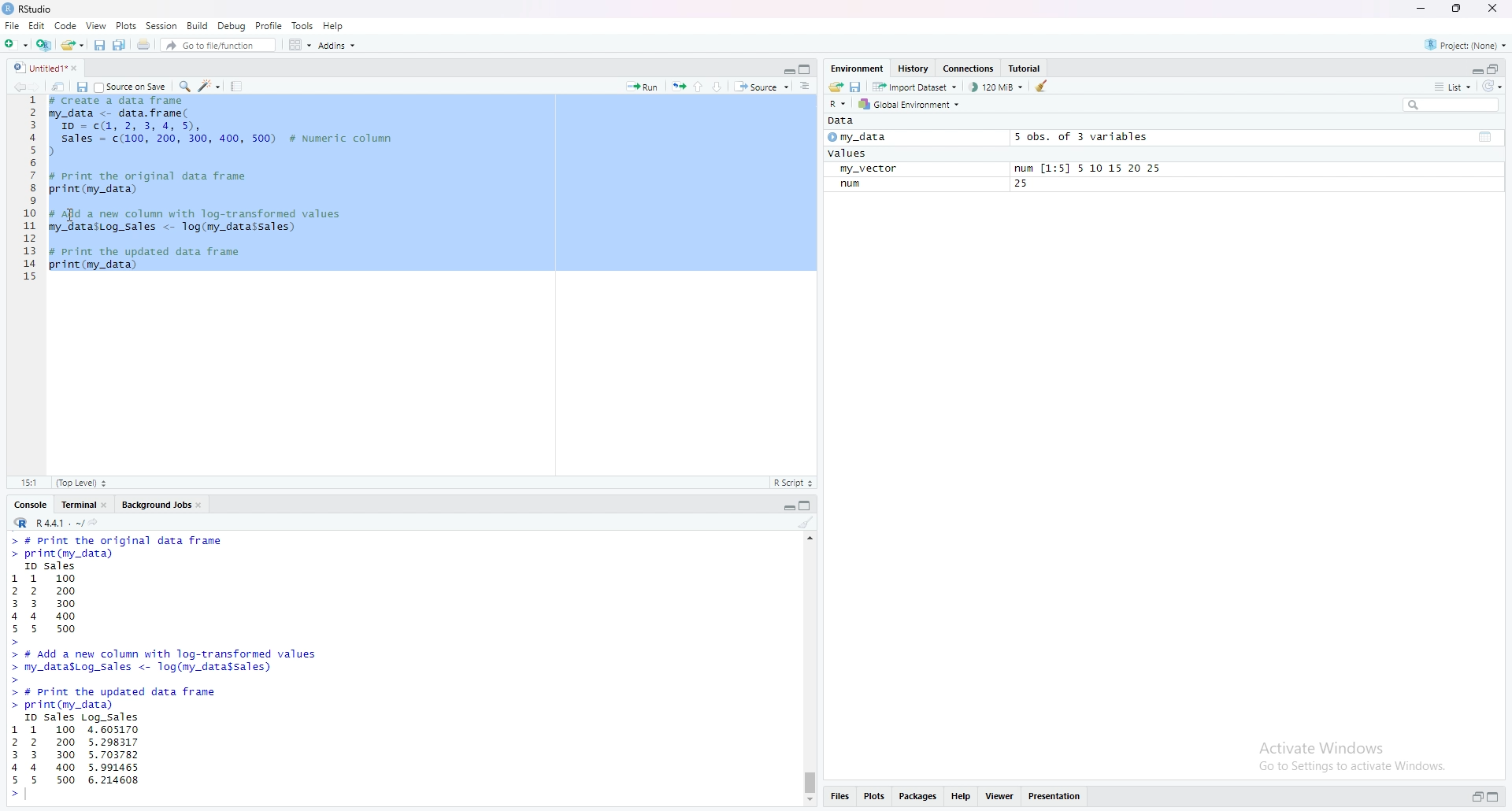 This screenshot has width=1512, height=811. I want to click on list, so click(1449, 89).